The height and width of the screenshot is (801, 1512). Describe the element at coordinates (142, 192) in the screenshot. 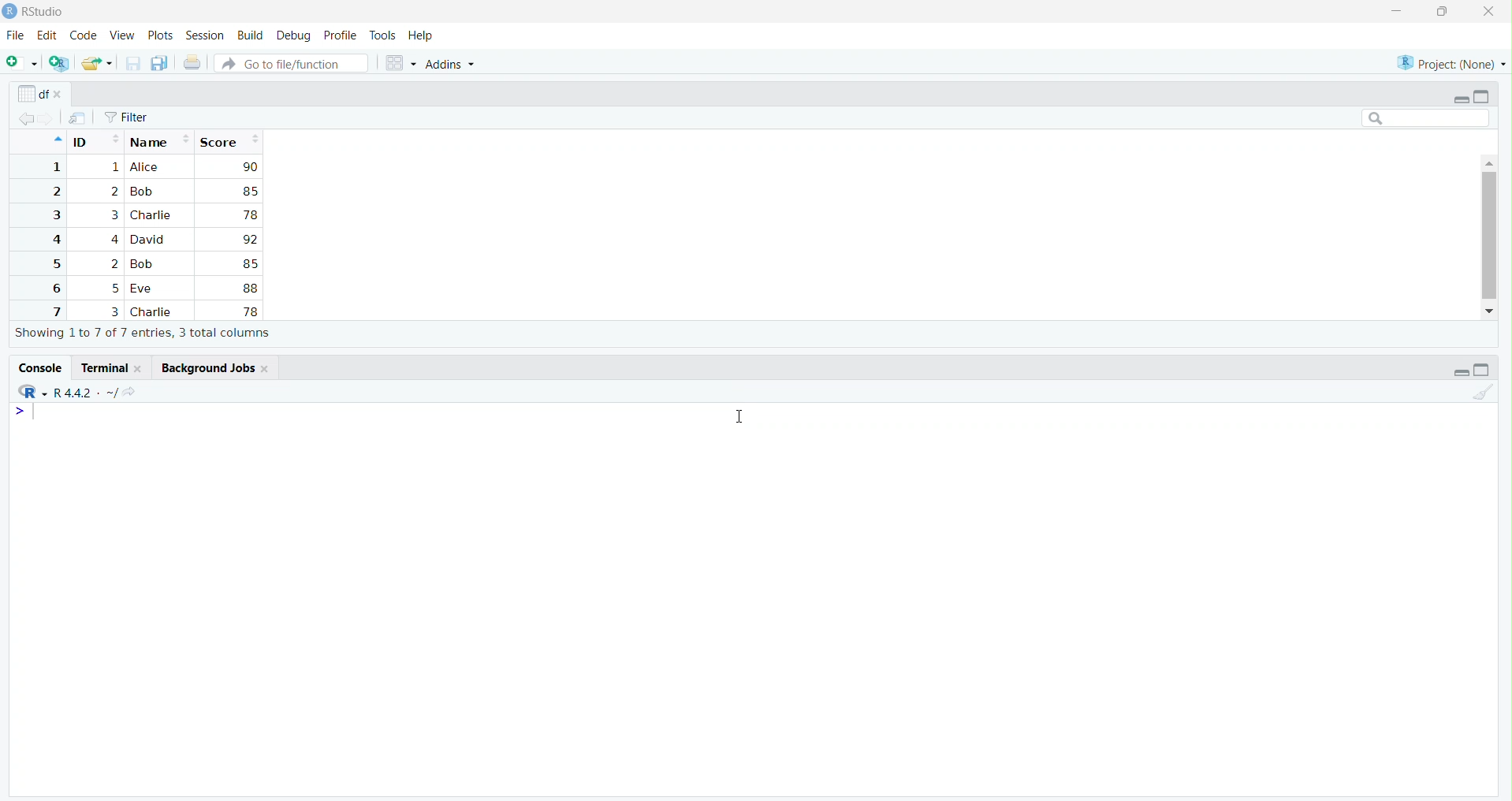

I see `Bob` at that location.